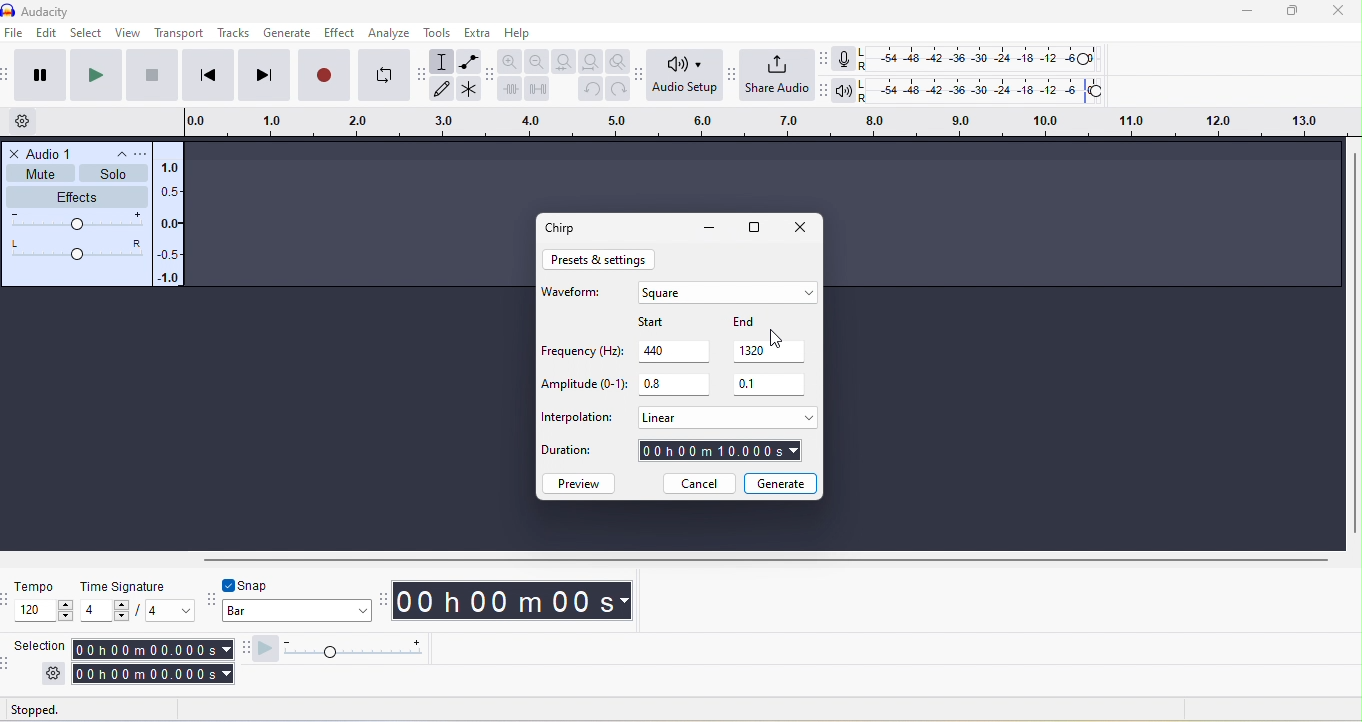 This screenshot has height=722, width=1362. What do you see at coordinates (15, 153) in the screenshot?
I see `close` at bounding box center [15, 153].